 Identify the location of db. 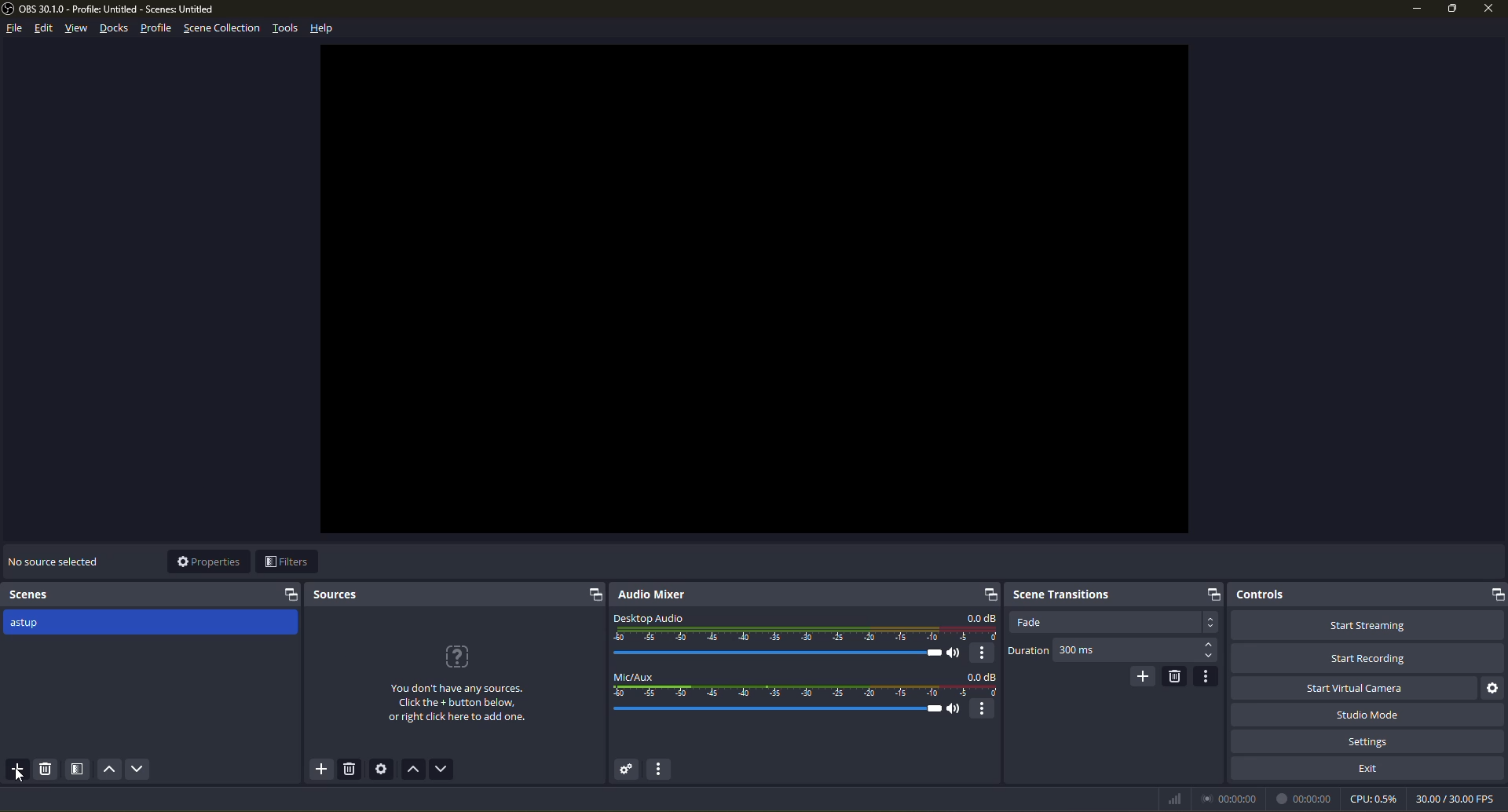
(979, 617).